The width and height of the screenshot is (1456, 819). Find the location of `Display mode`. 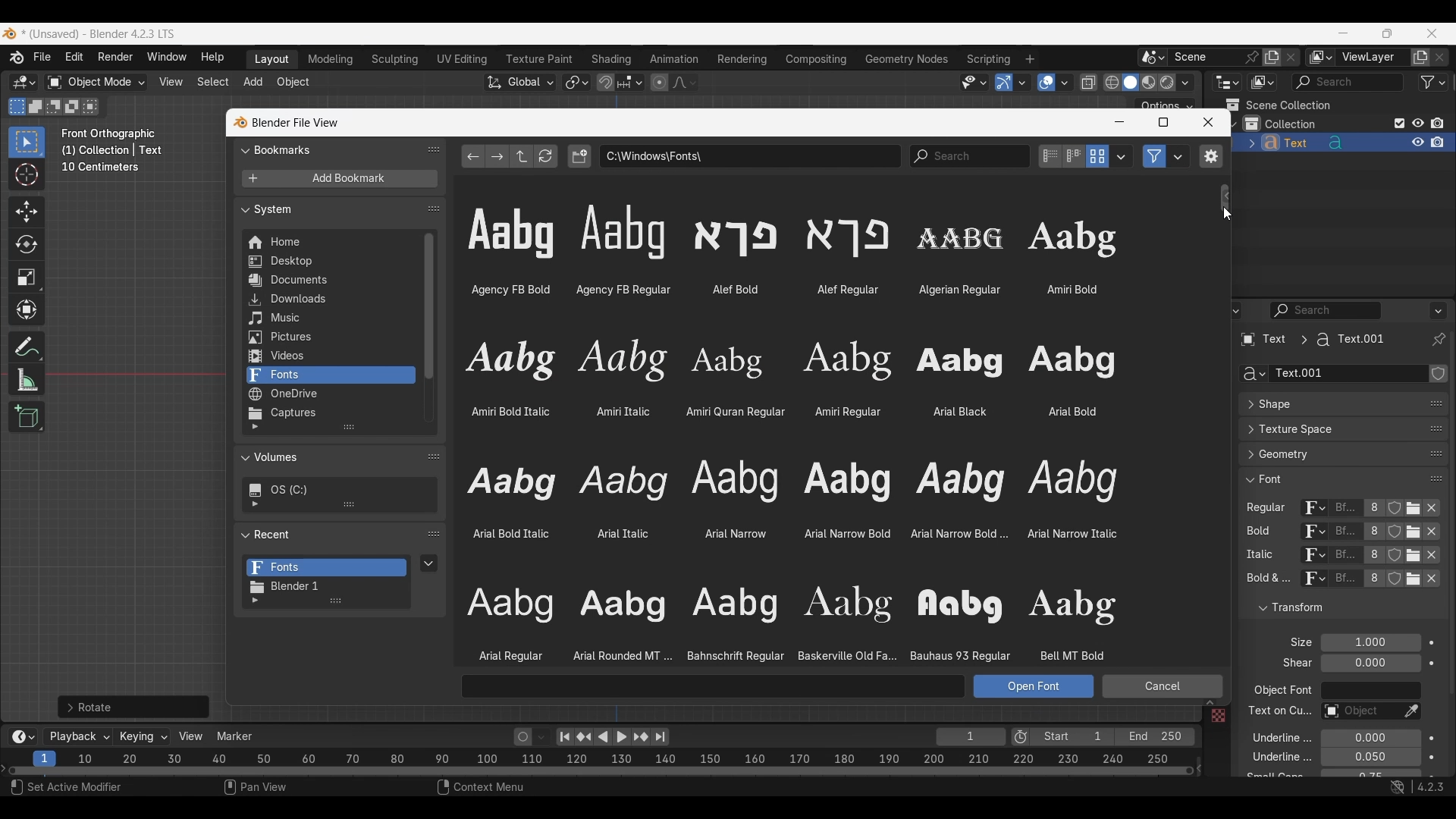

Display mode is located at coordinates (1262, 83).